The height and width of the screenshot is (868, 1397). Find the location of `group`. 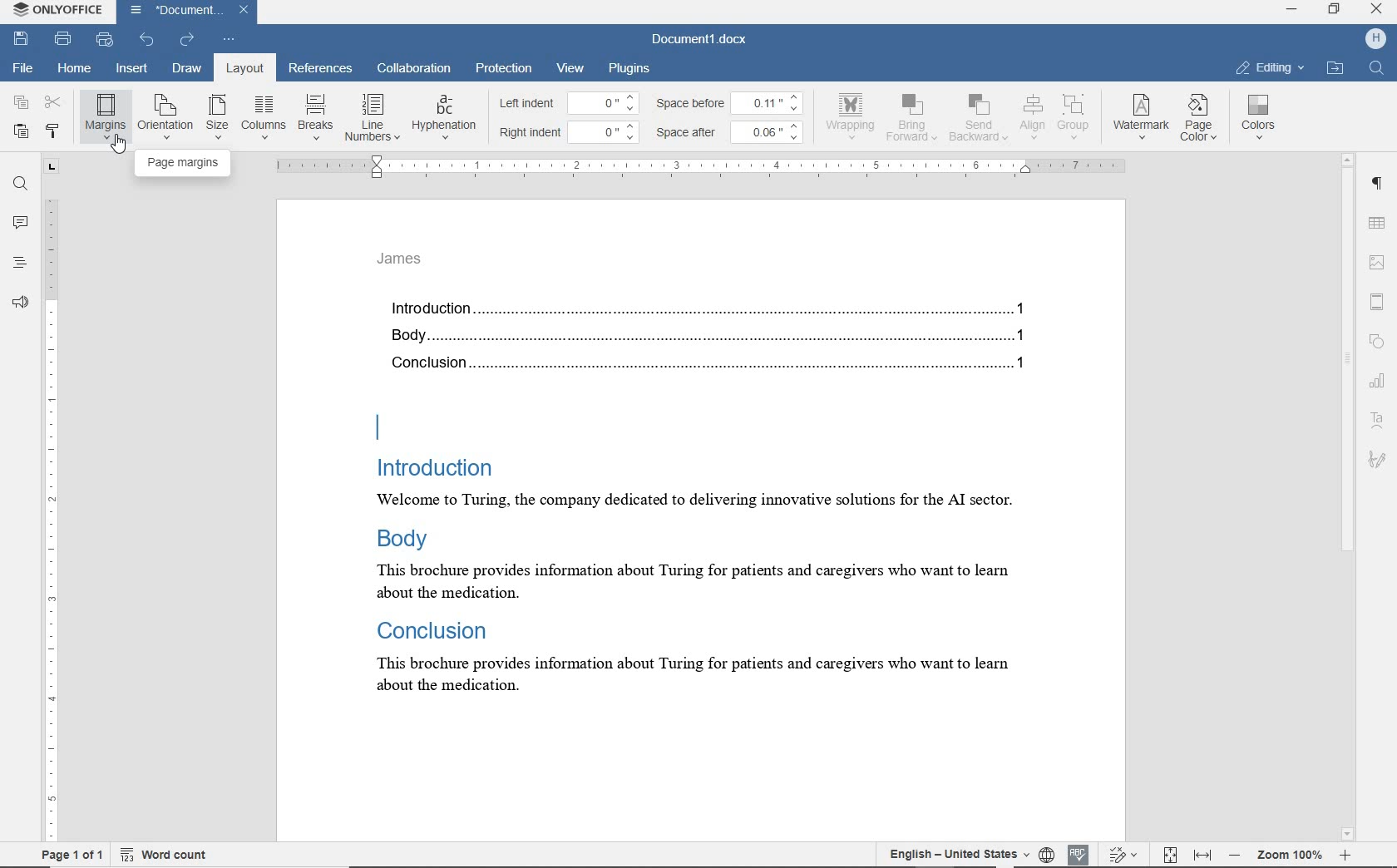

group is located at coordinates (1074, 116).